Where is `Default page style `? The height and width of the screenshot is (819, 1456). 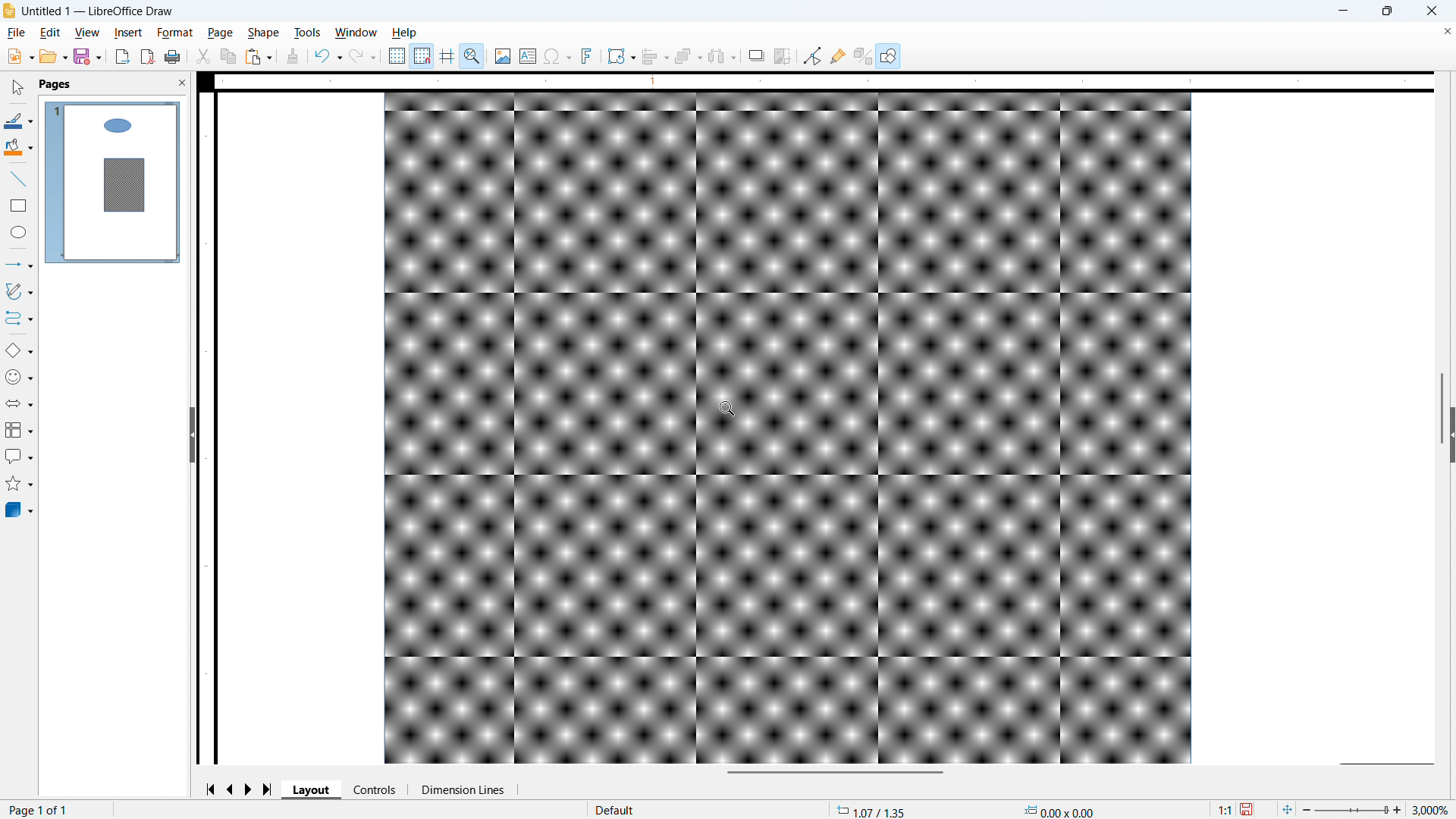
Default page style  is located at coordinates (616, 808).